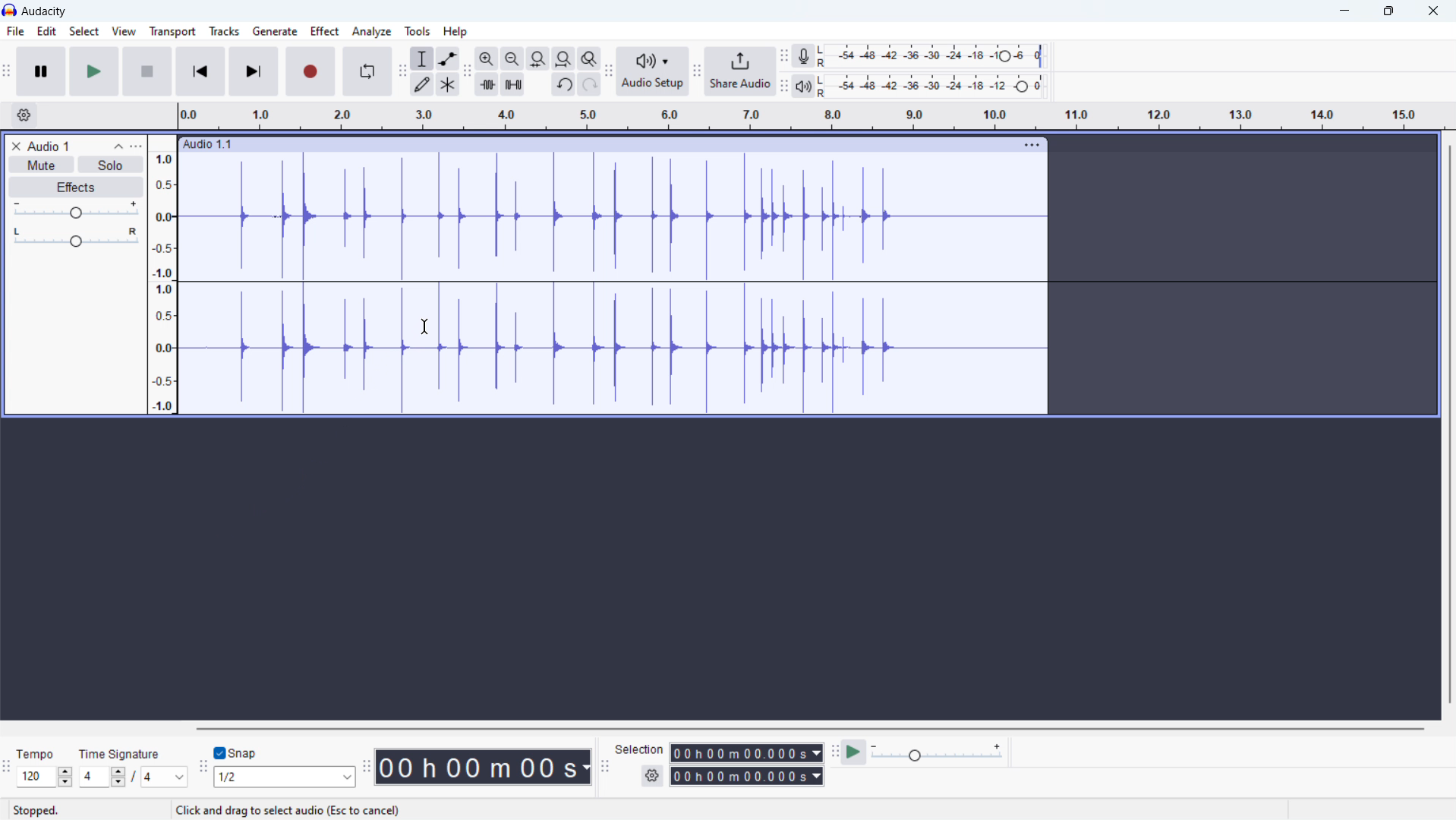 Image resolution: width=1456 pixels, height=820 pixels. What do you see at coordinates (1450, 424) in the screenshot?
I see `vertical scrollbar` at bounding box center [1450, 424].